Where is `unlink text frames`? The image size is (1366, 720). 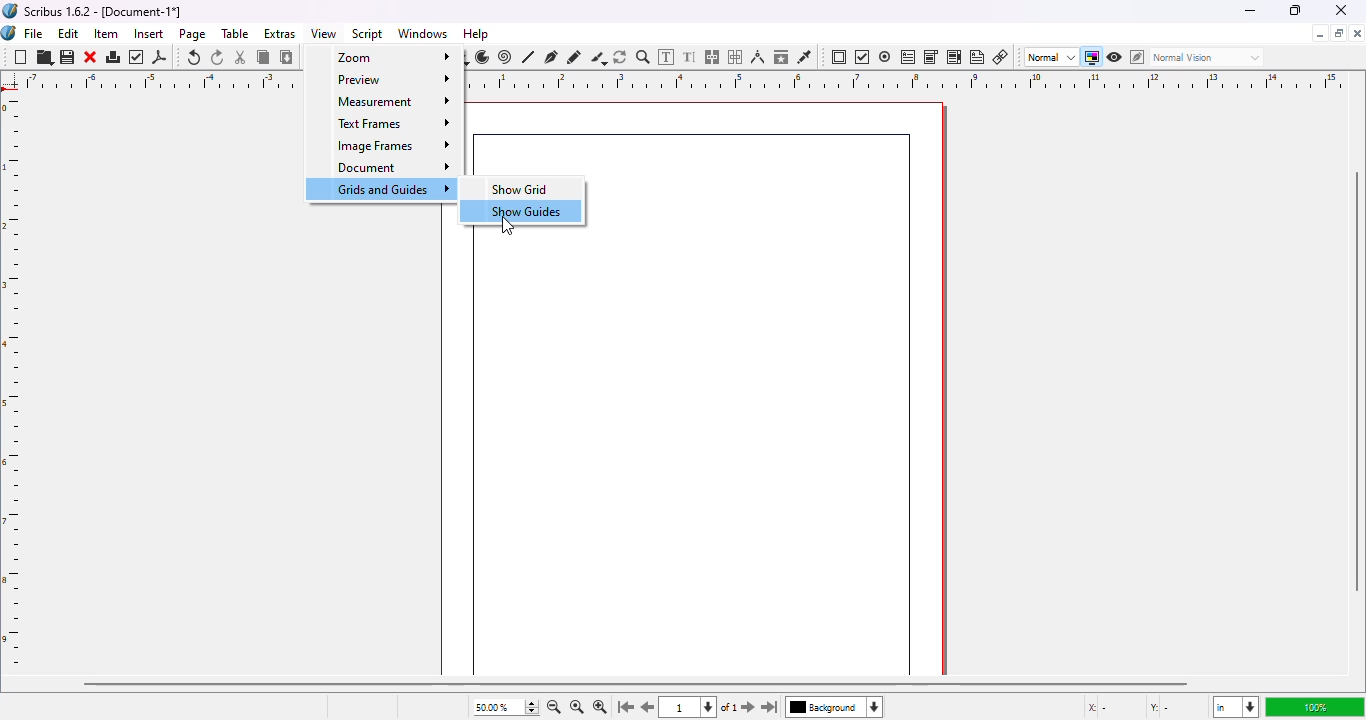 unlink text frames is located at coordinates (738, 57).